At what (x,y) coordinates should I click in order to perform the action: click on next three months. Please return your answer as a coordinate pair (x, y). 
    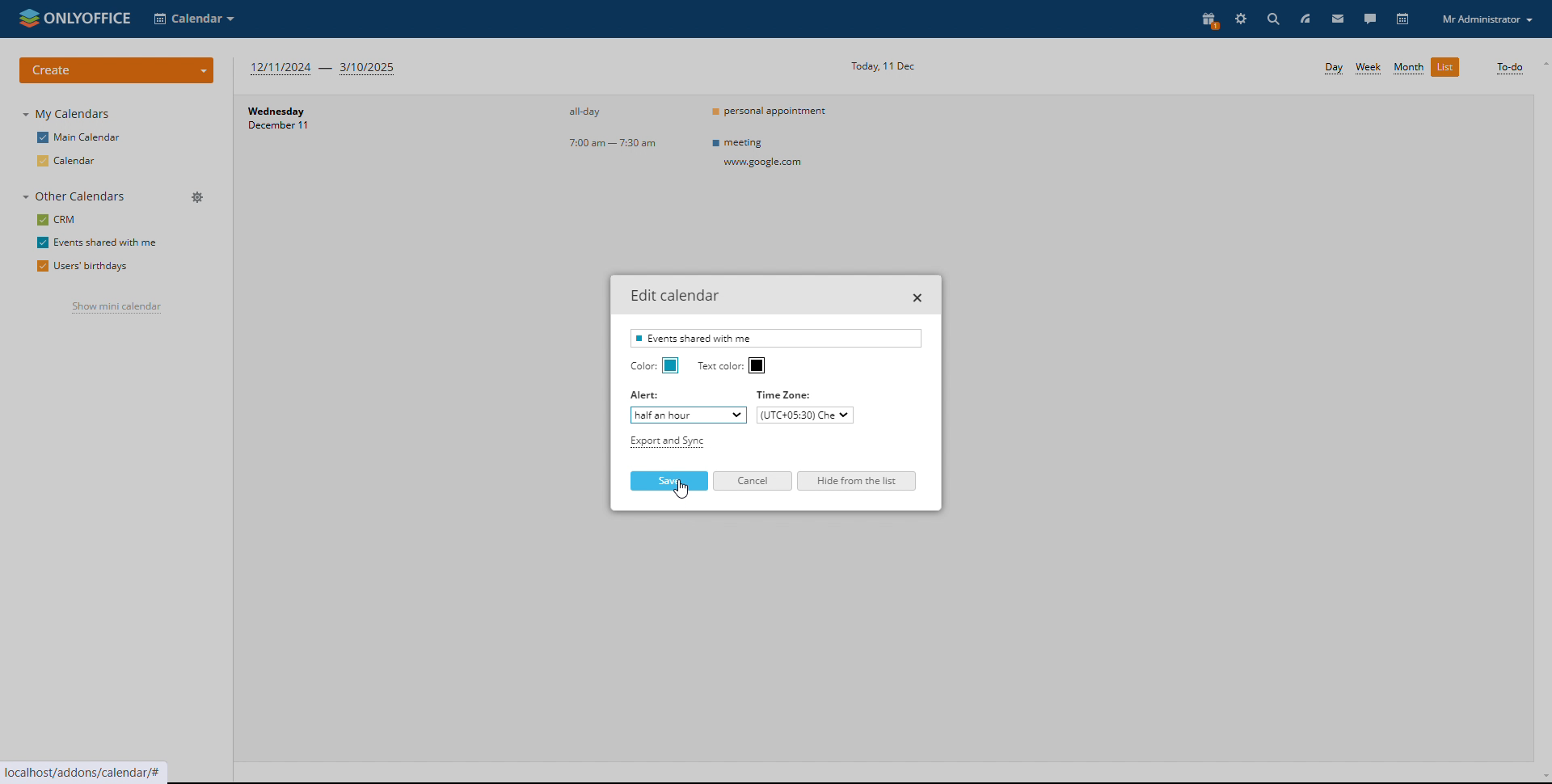
    Looking at the image, I should click on (325, 70).